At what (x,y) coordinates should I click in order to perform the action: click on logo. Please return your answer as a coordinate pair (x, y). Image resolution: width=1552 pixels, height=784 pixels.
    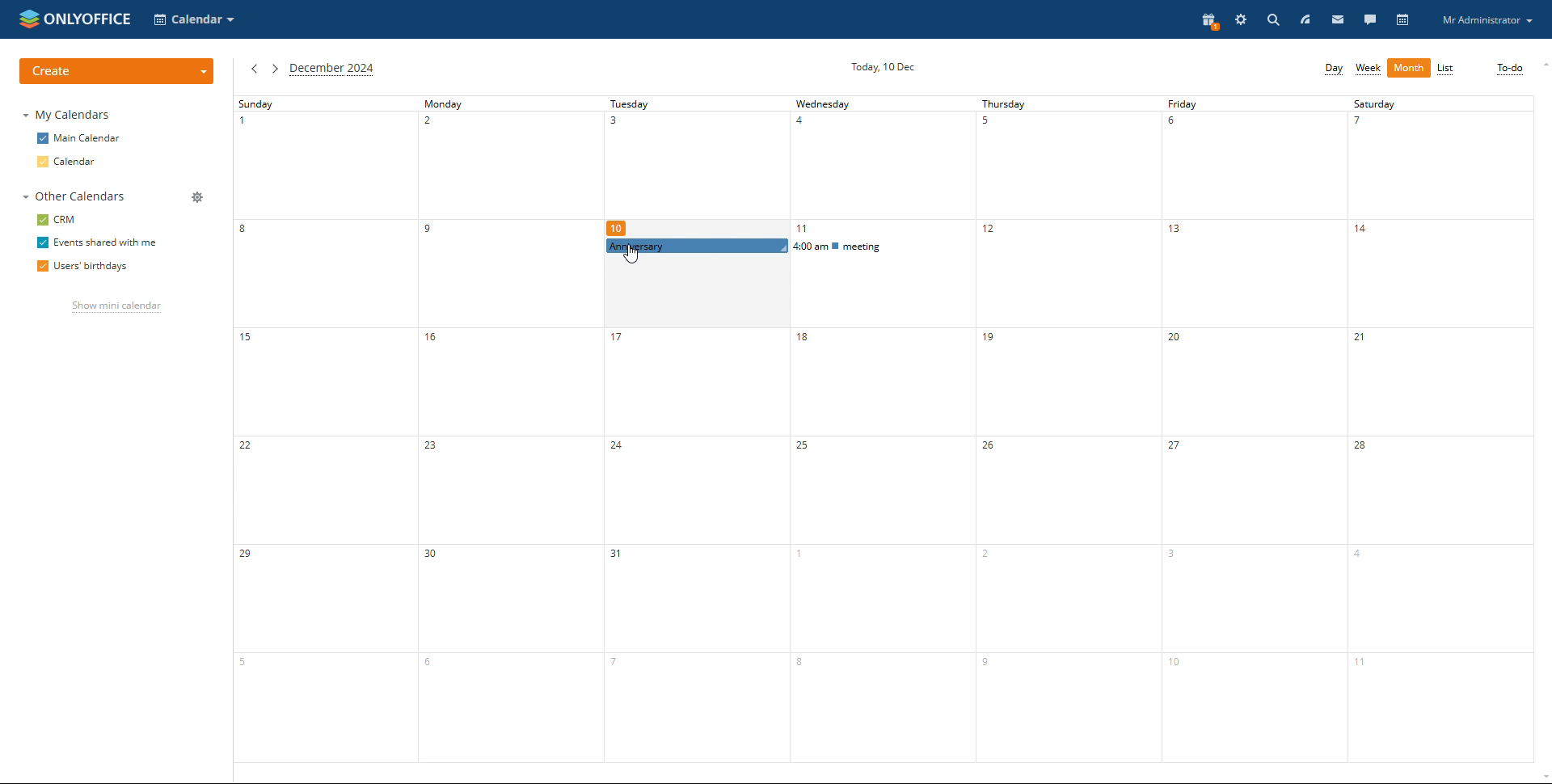
    Looking at the image, I should click on (75, 18).